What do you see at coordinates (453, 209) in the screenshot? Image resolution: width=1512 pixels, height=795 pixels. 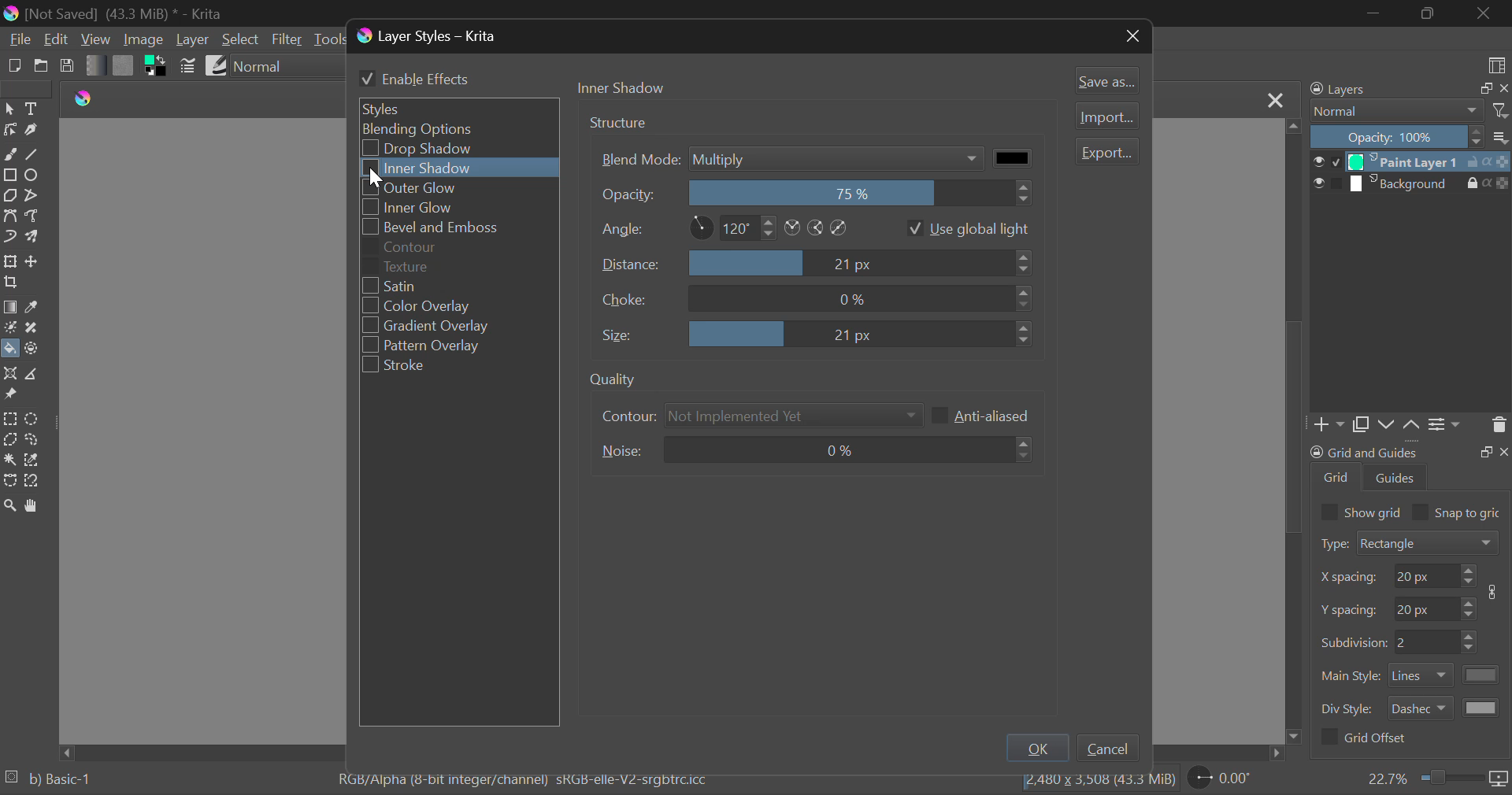 I see `Inner Glow` at bounding box center [453, 209].